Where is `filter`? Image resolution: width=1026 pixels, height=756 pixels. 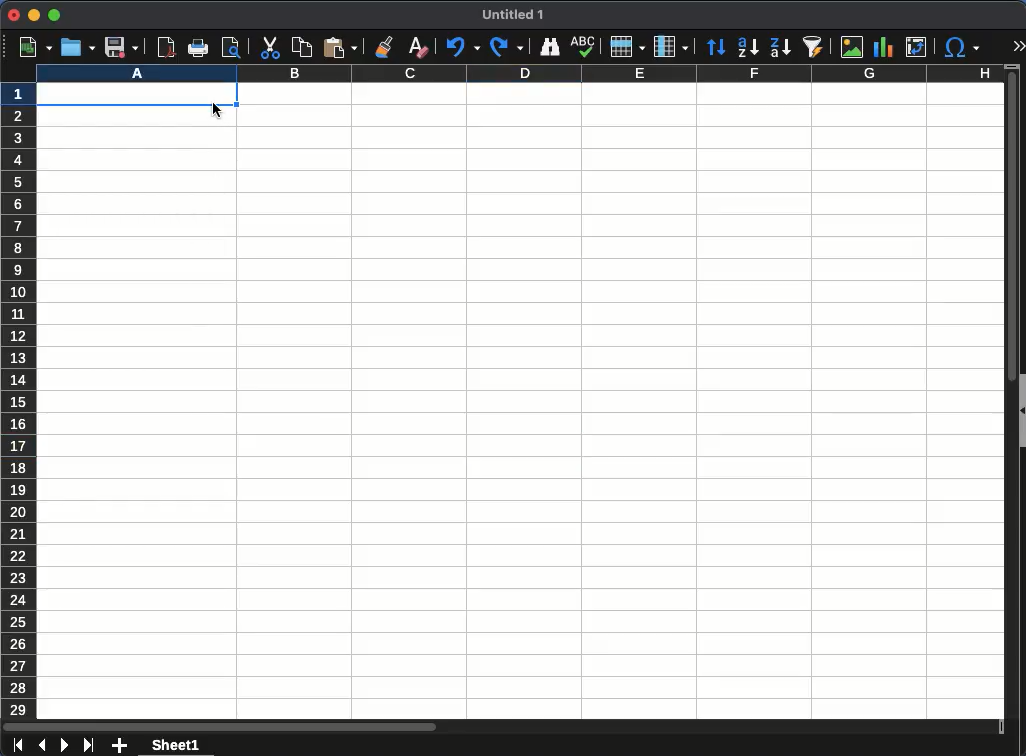 filter is located at coordinates (816, 47).